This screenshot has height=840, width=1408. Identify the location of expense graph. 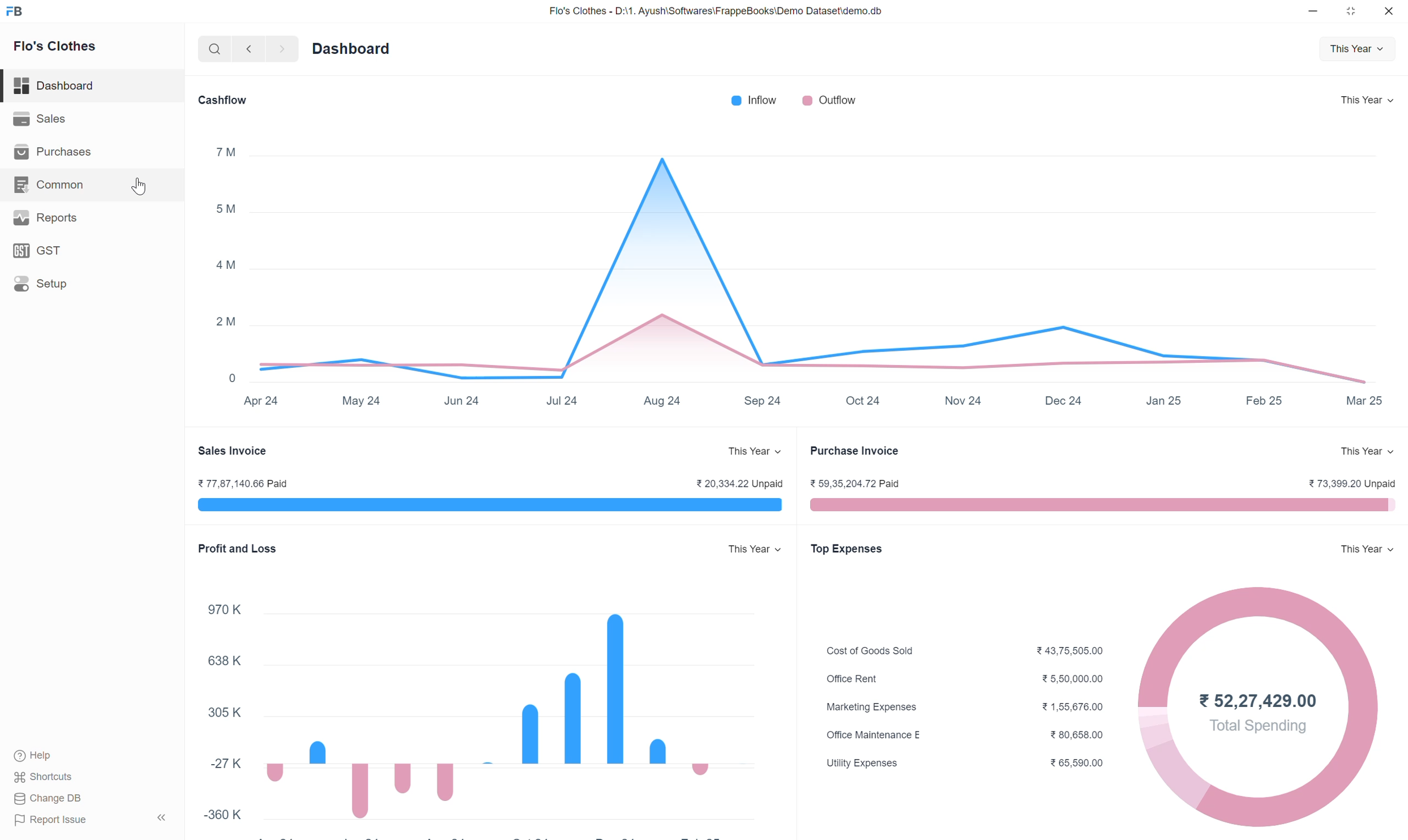
(1094, 707).